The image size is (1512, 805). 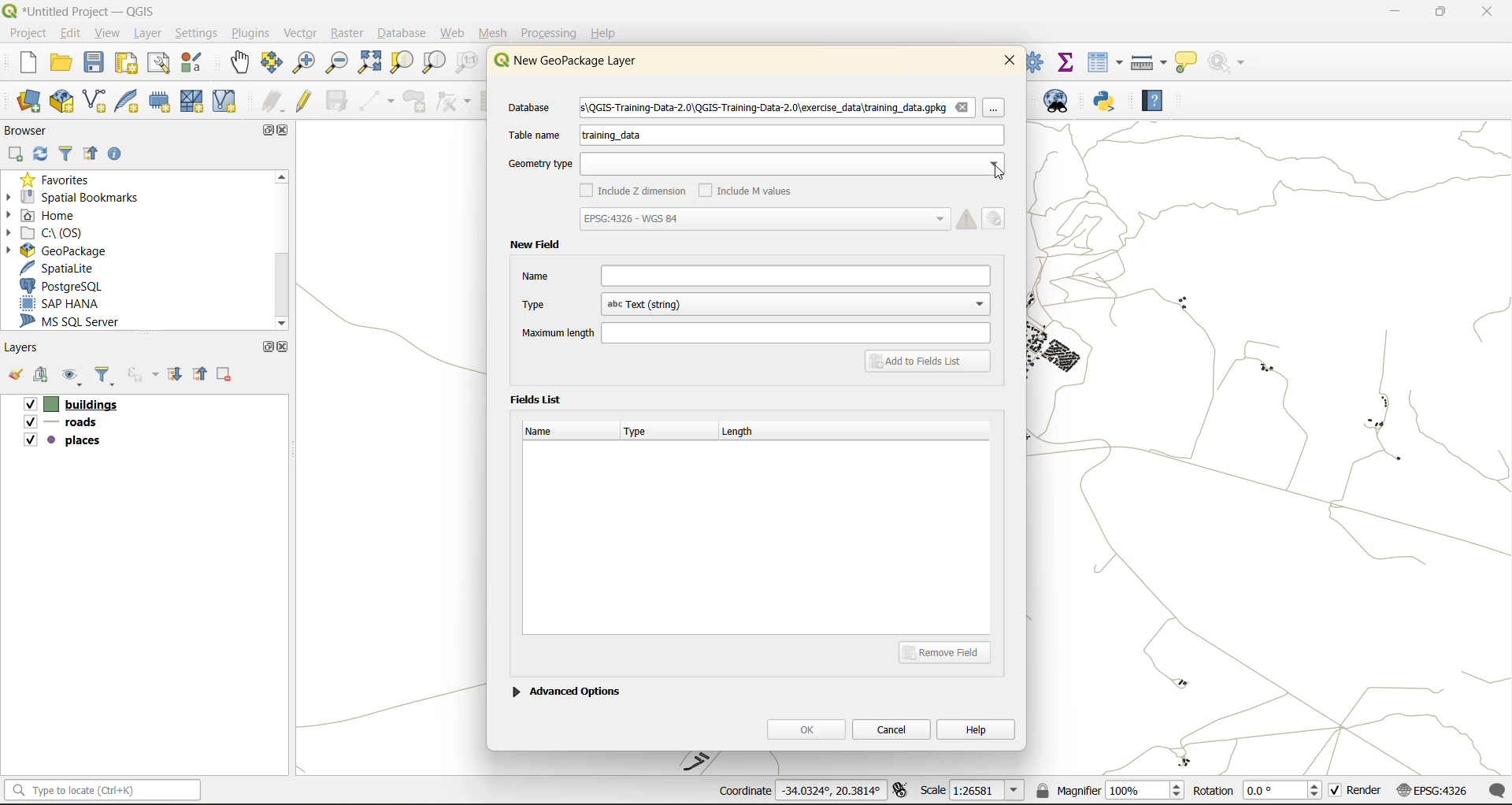 I want to click on show tips, so click(x=1187, y=63).